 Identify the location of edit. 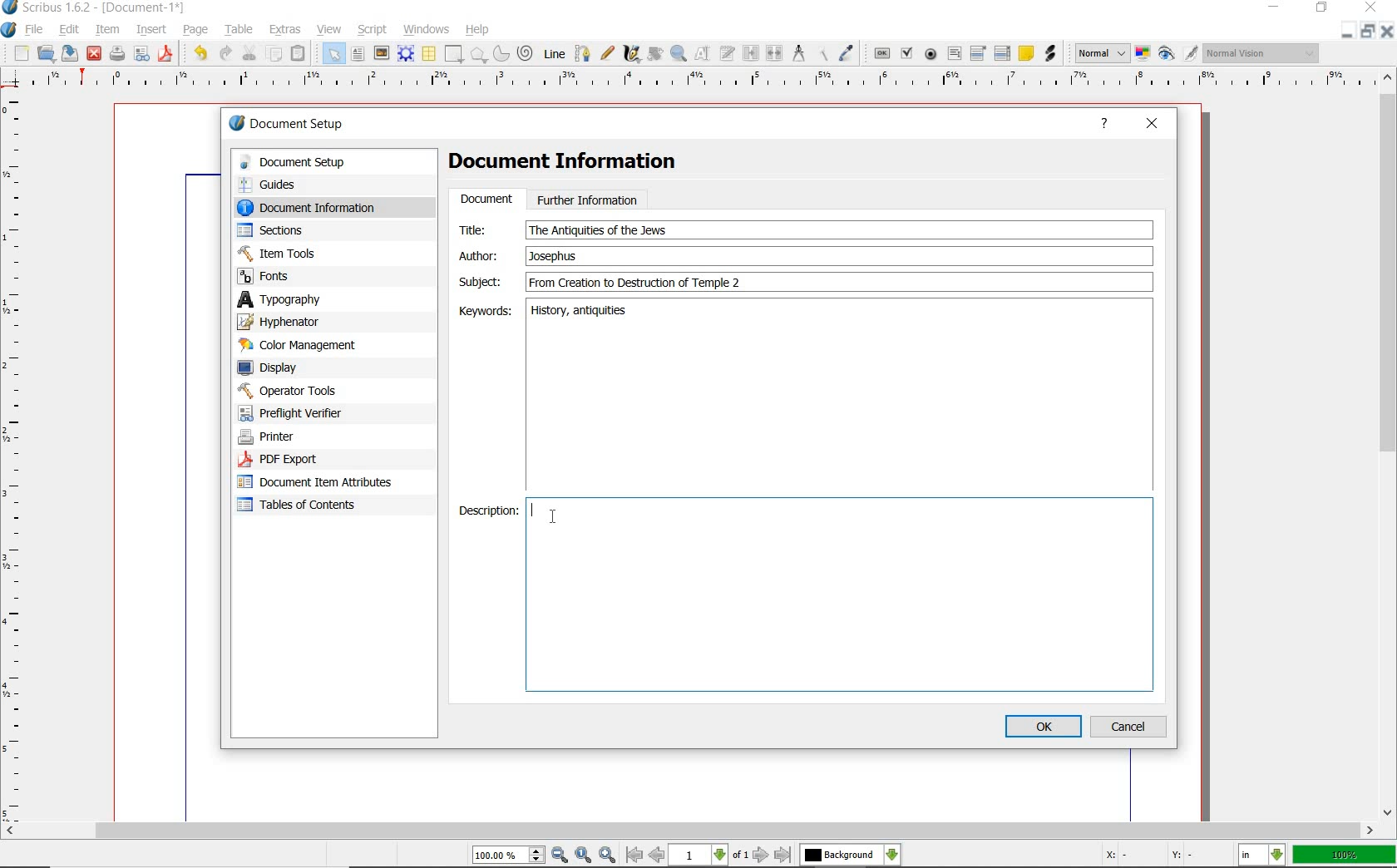
(70, 29).